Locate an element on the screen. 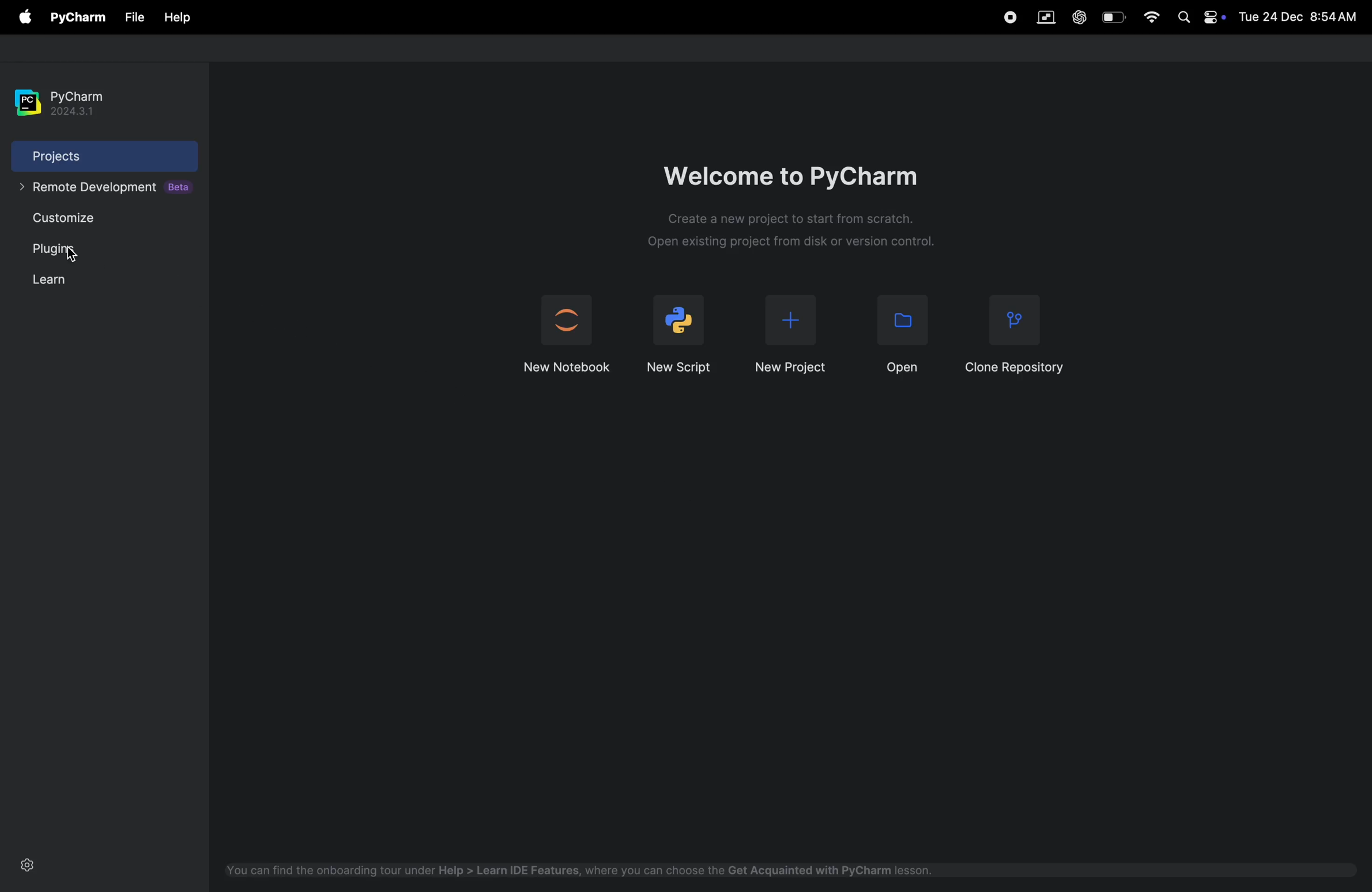  remote developement is located at coordinates (107, 187).